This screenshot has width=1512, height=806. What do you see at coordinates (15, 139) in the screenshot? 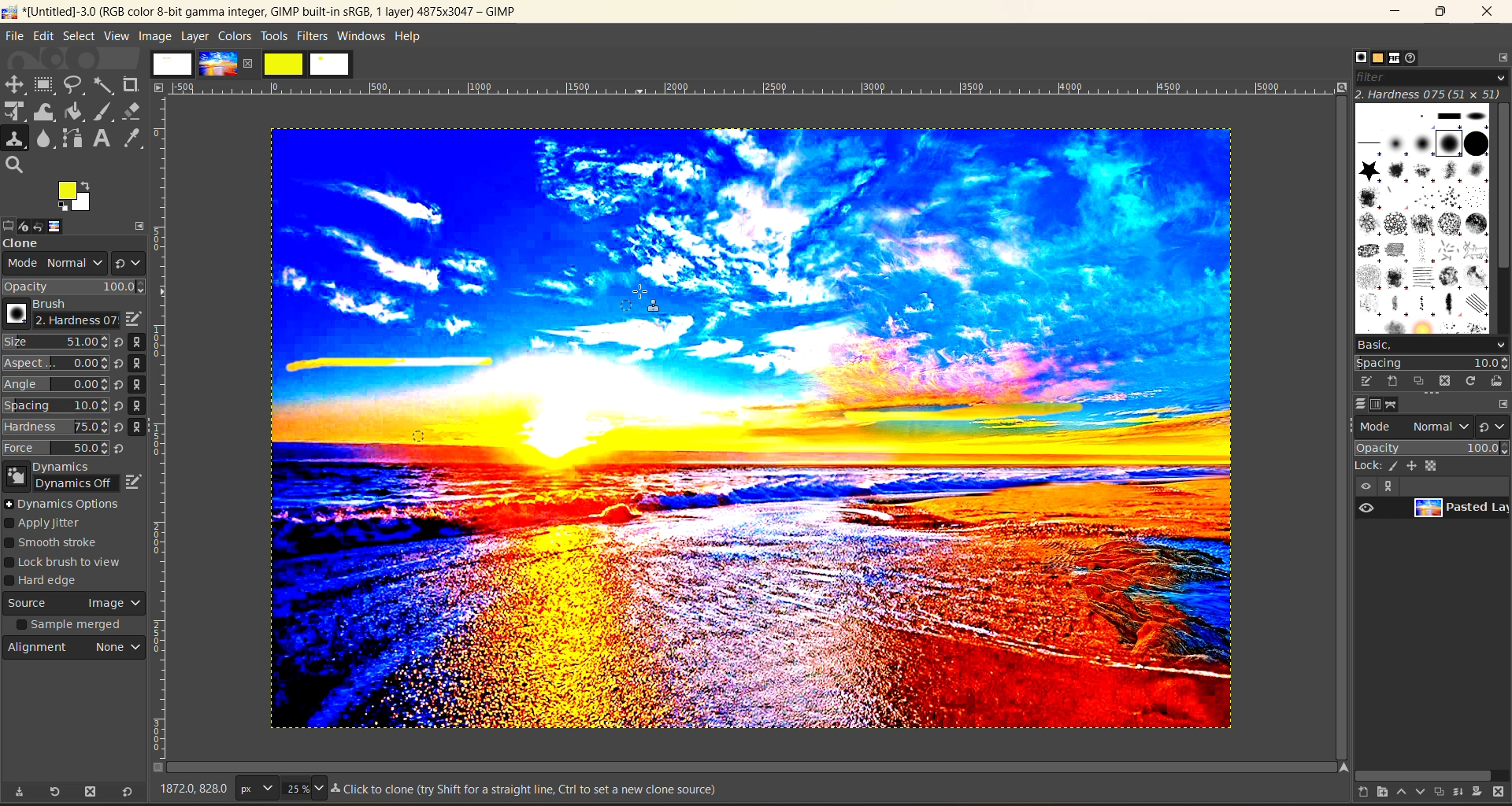
I see `clone tool` at bounding box center [15, 139].